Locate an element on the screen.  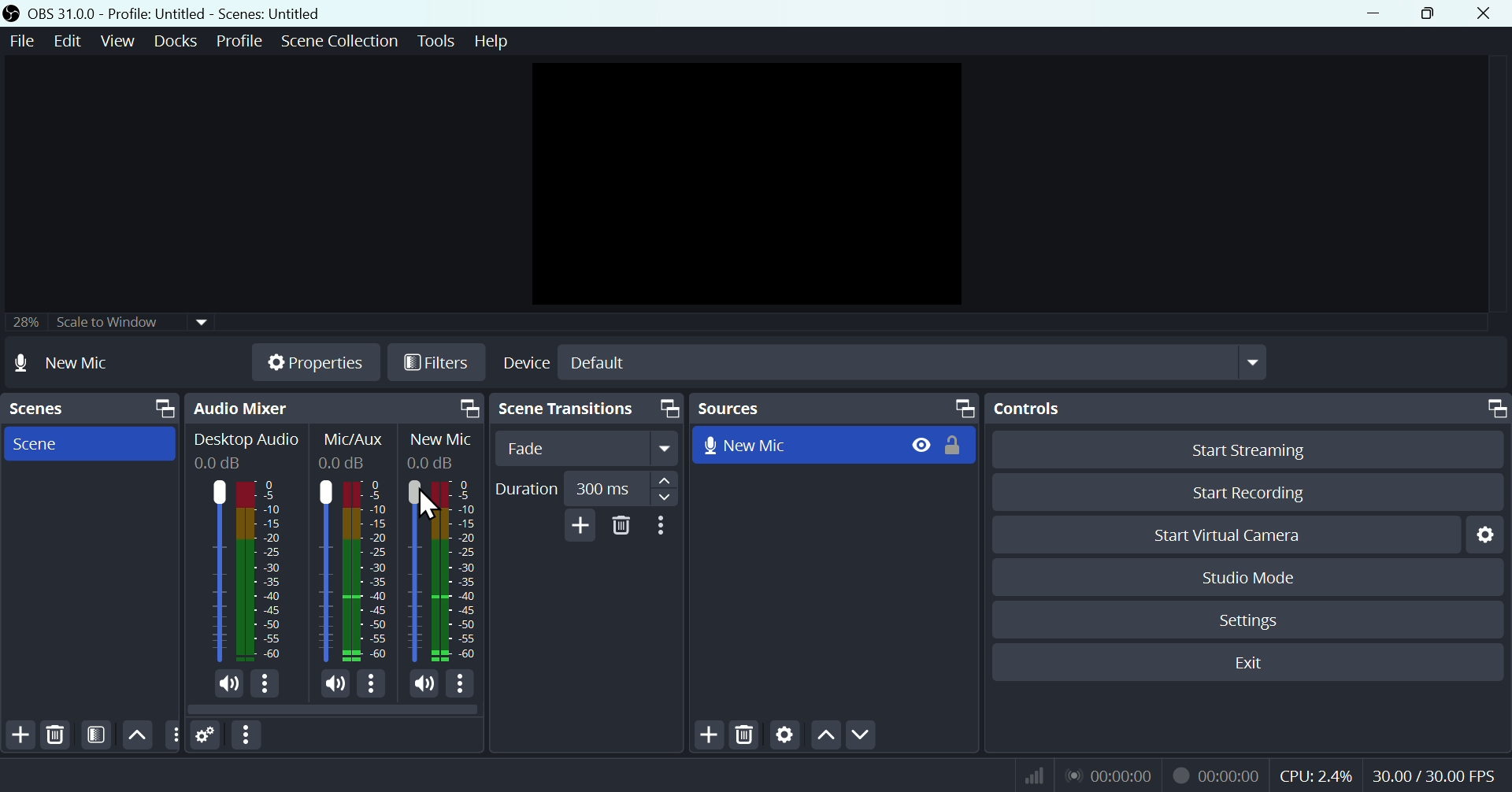
Duration is located at coordinates (584, 489).